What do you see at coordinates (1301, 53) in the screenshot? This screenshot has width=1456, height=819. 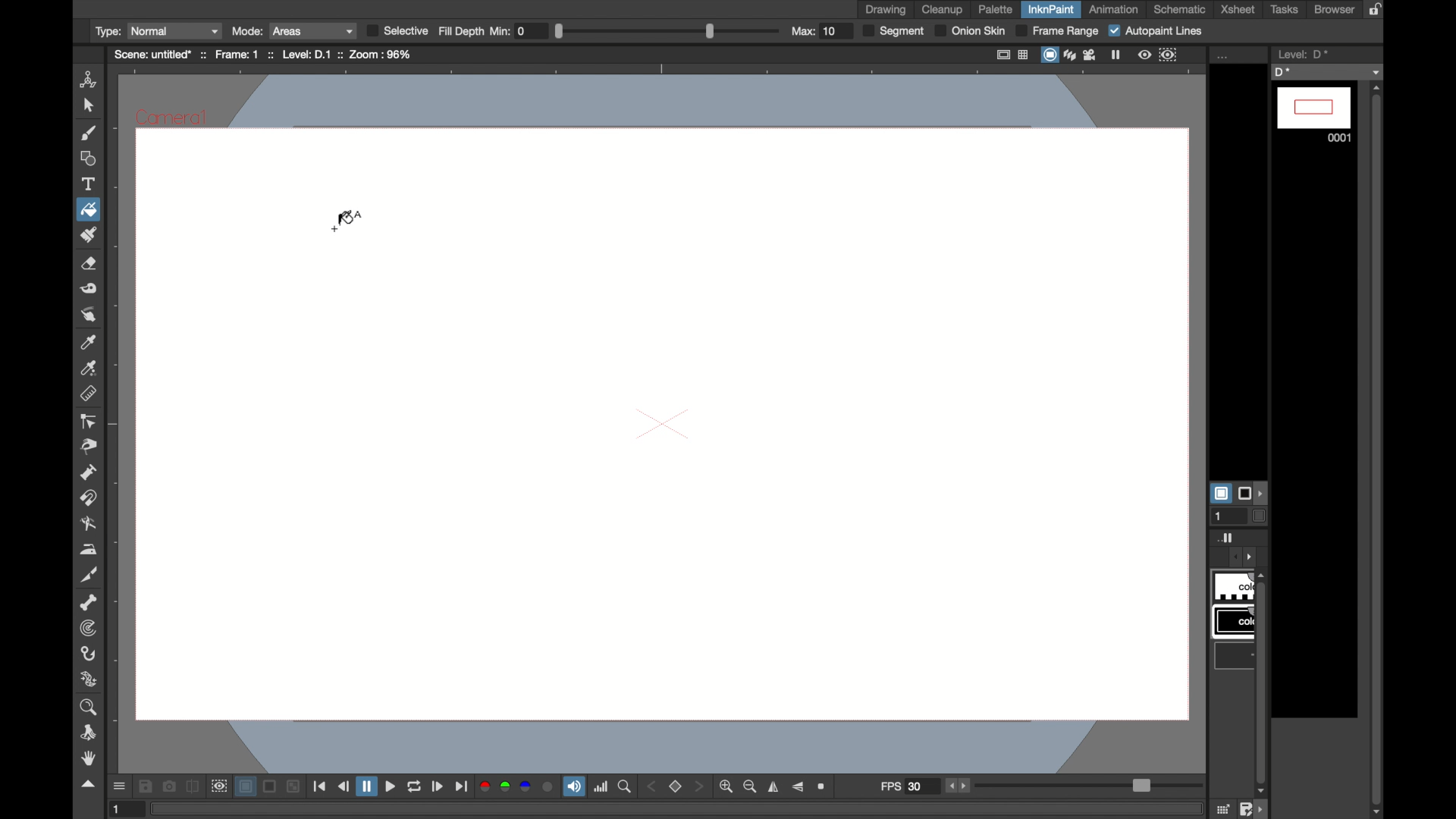 I see `level` at bounding box center [1301, 53].